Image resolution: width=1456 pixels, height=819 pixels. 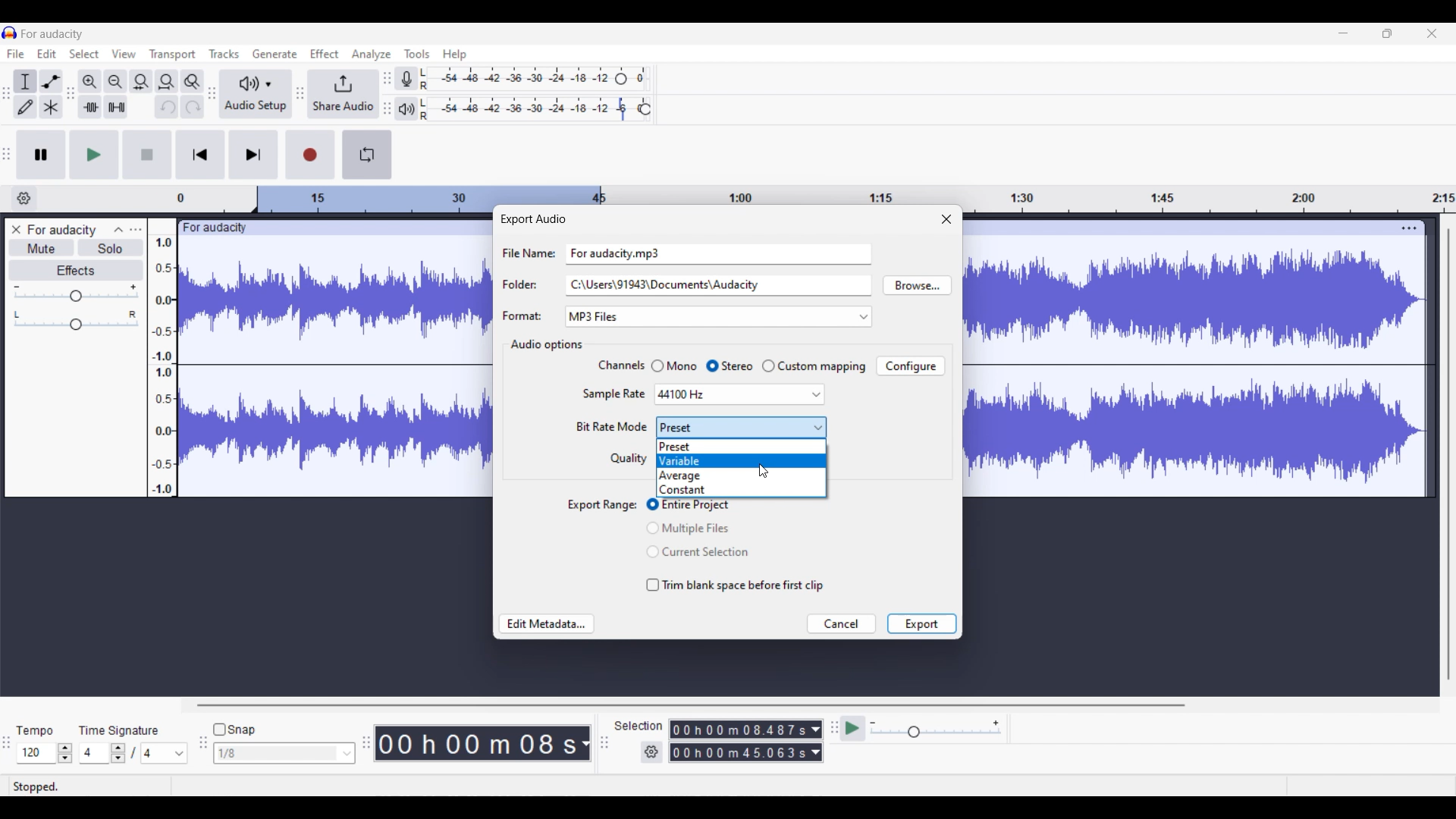 I want to click on Zoom toggle, so click(x=192, y=82).